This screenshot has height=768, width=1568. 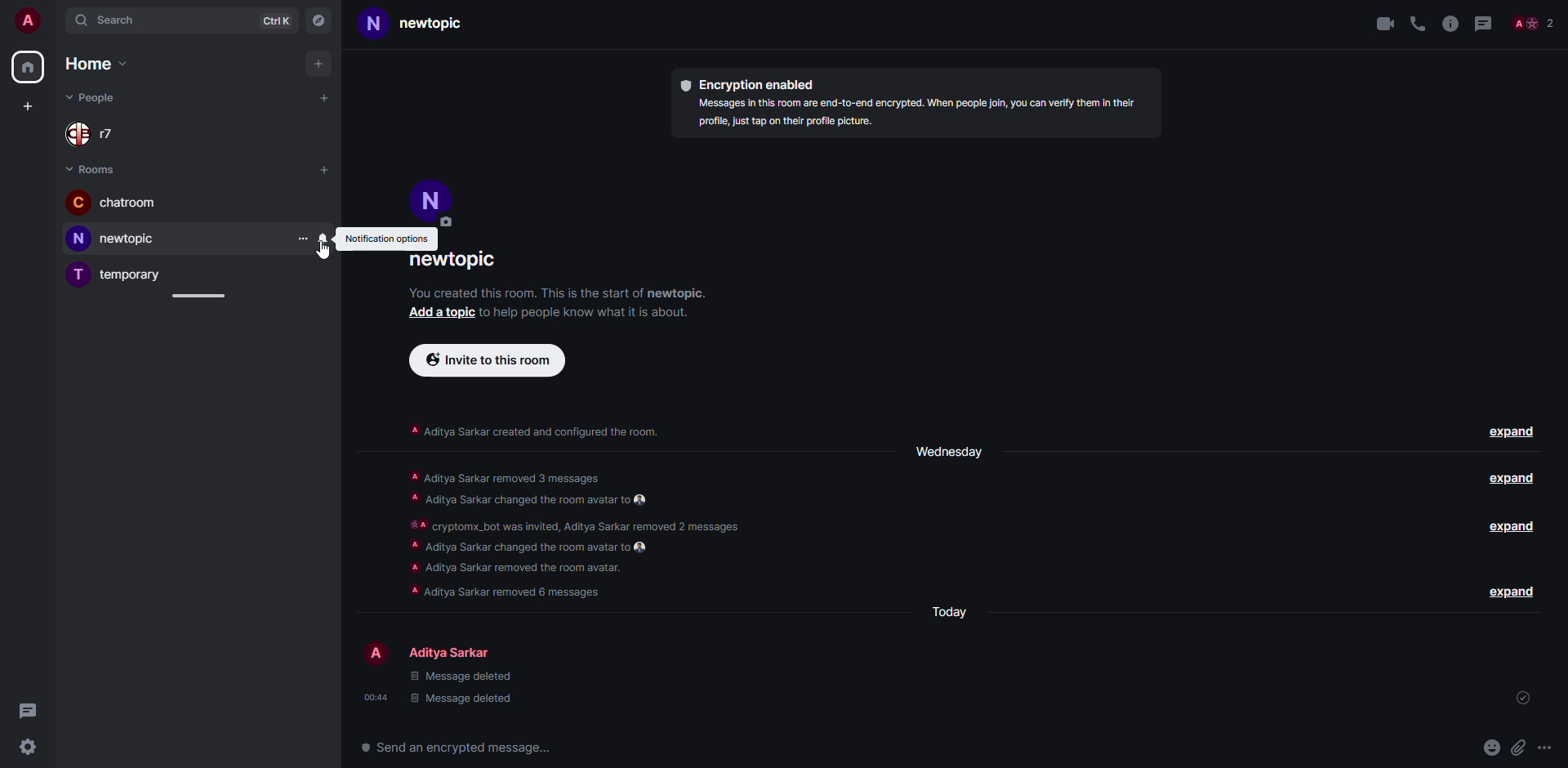 What do you see at coordinates (753, 86) in the screenshot?
I see `encryption enabled` at bounding box center [753, 86].